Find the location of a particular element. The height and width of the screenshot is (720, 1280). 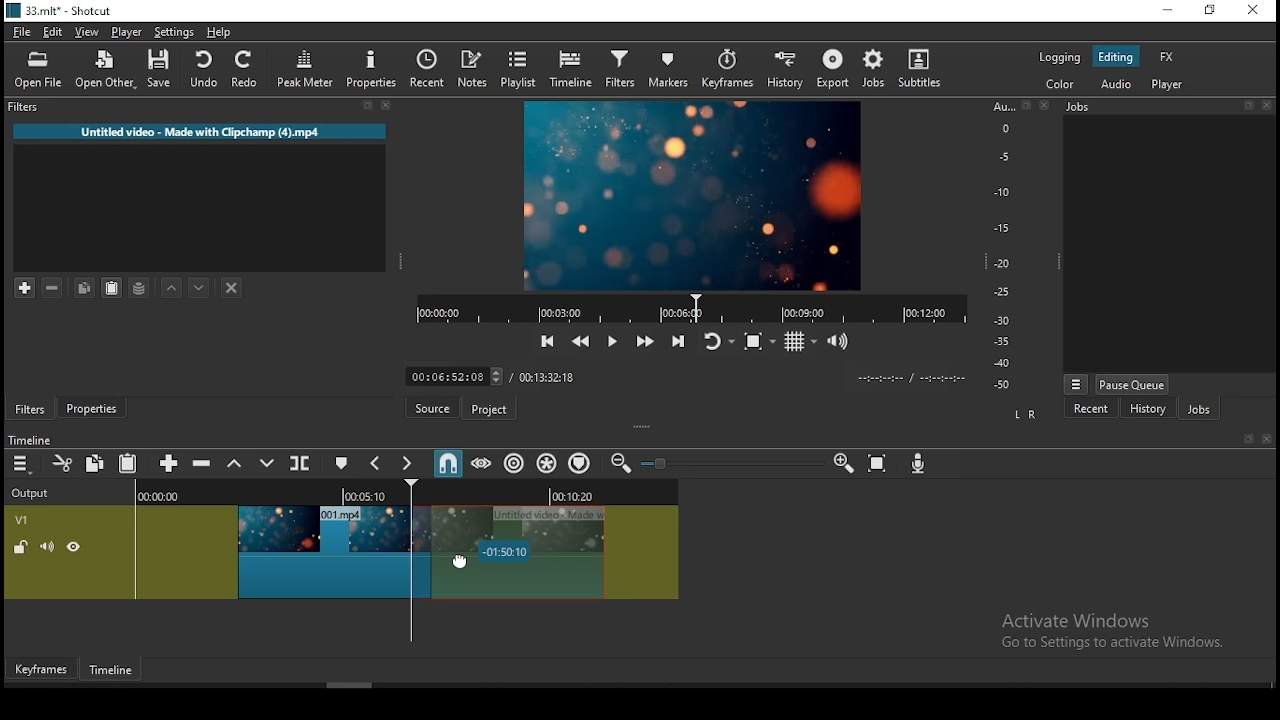

ripple markers is located at coordinates (580, 462).